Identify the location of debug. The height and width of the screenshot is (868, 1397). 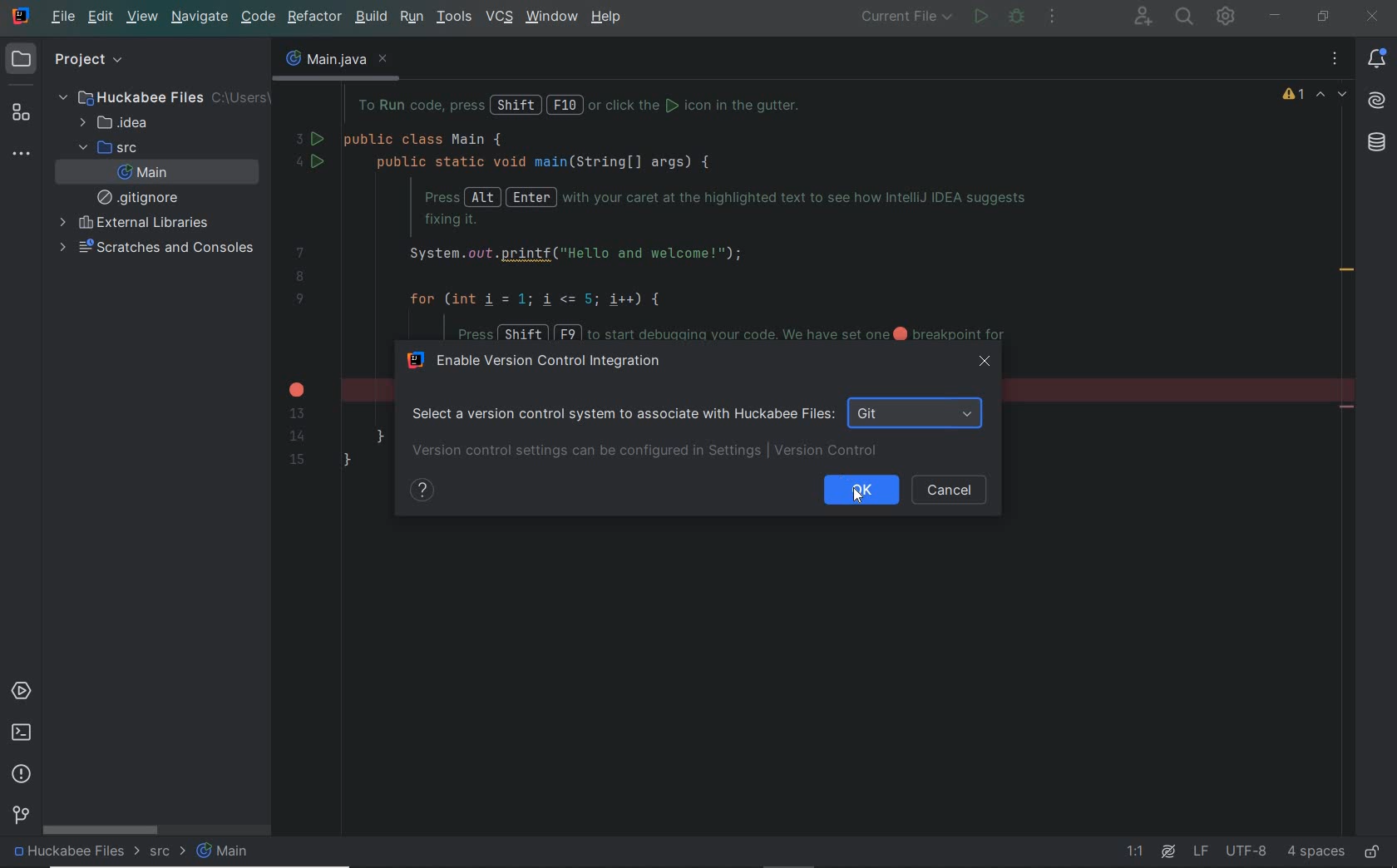
(1017, 18).